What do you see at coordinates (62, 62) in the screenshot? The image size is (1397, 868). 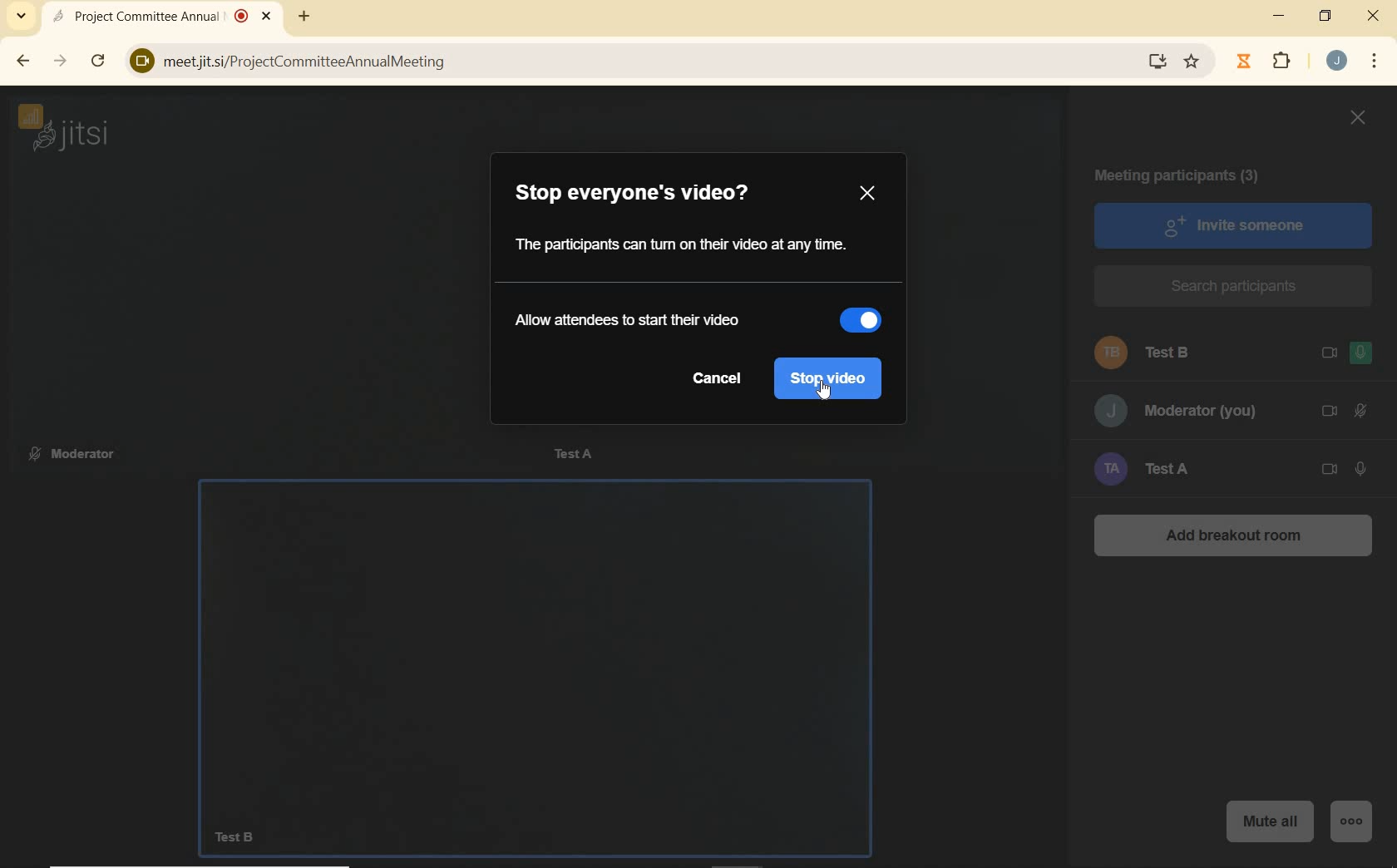 I see `FORWARD` at bounding box center [62, 62].